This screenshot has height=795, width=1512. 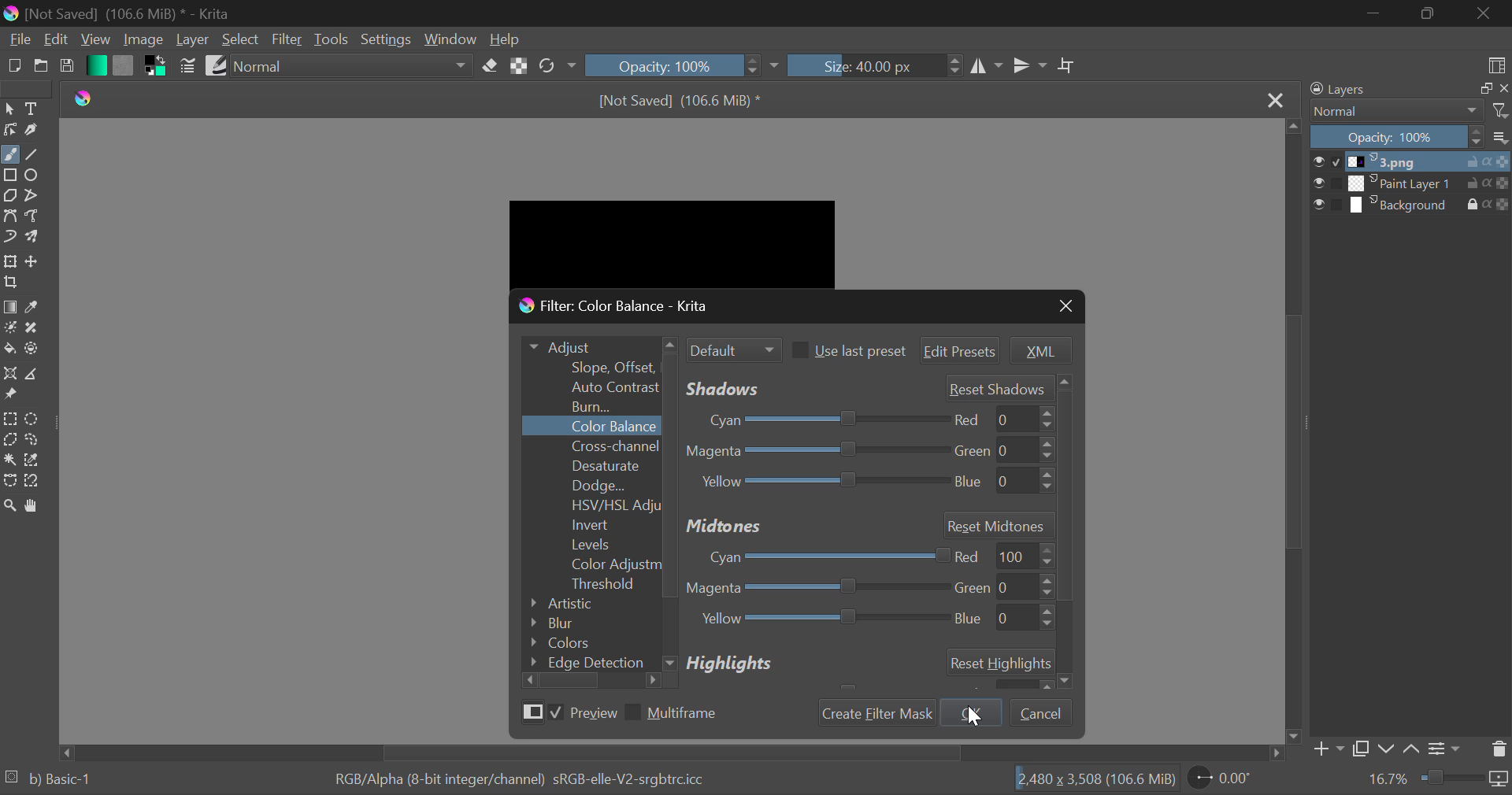 I want to click on OK, so click(x=969, y=712).